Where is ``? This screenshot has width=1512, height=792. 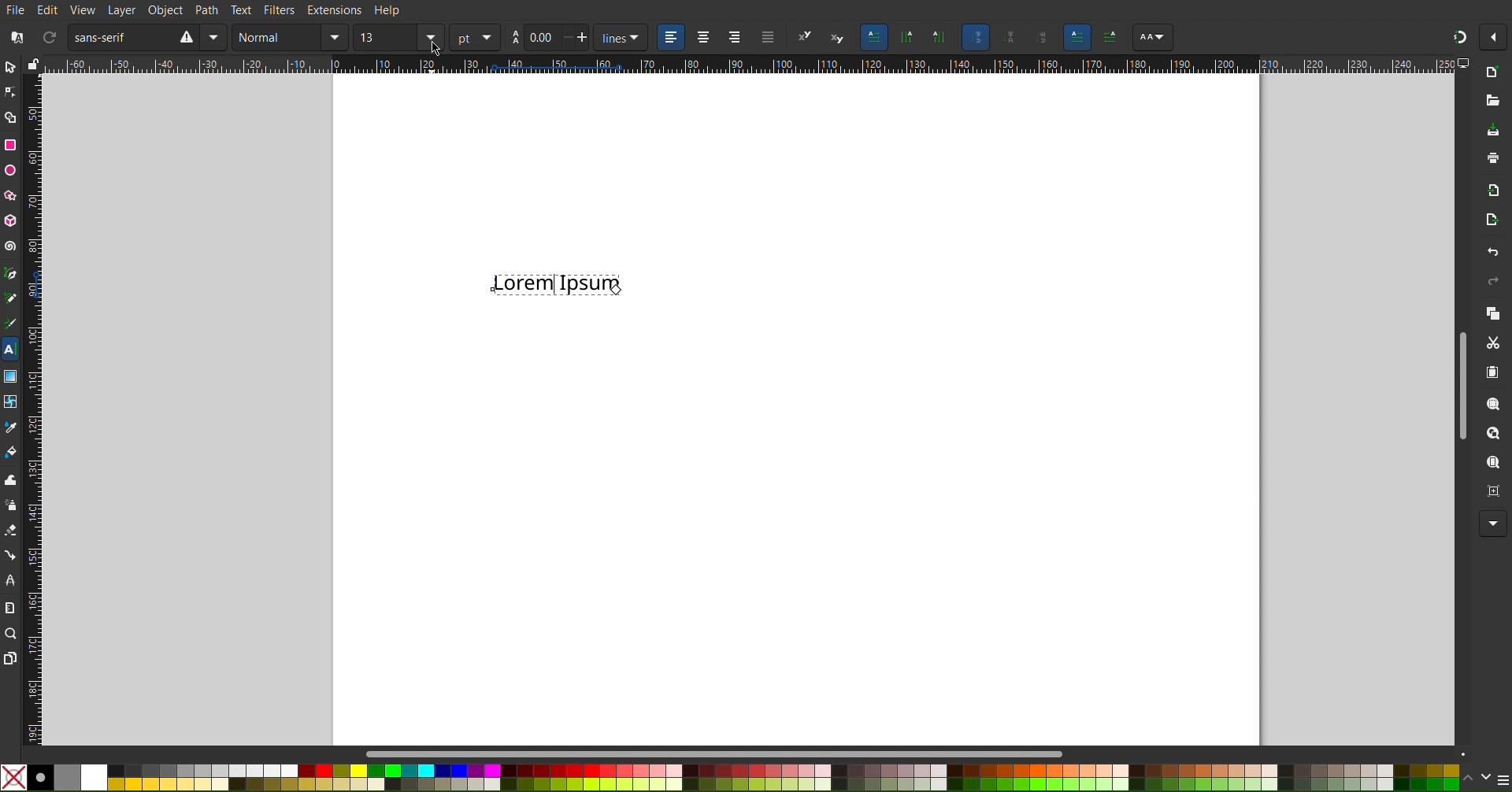
 is located at coordinates (1077, 38).